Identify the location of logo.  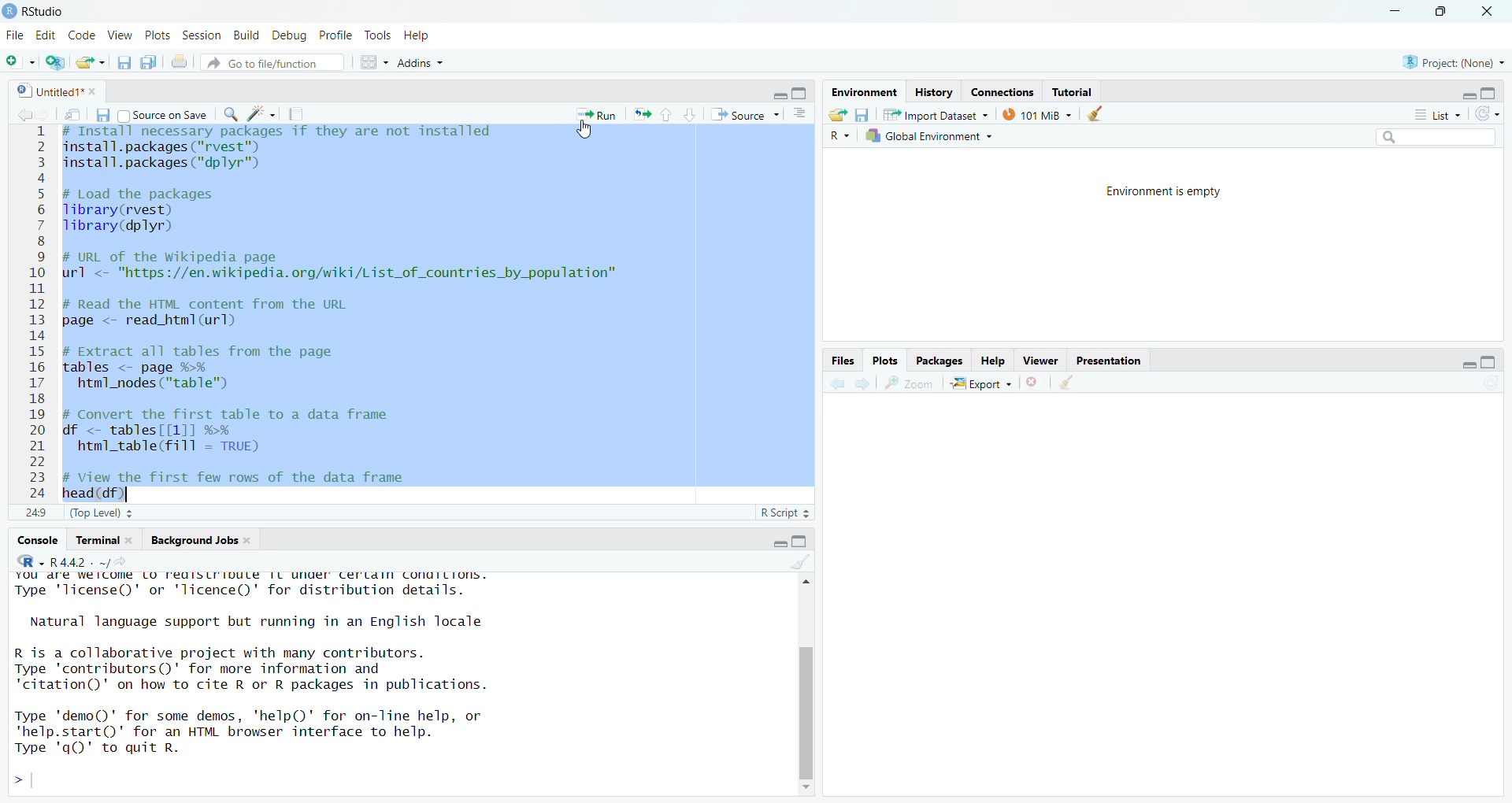
(9, 12).